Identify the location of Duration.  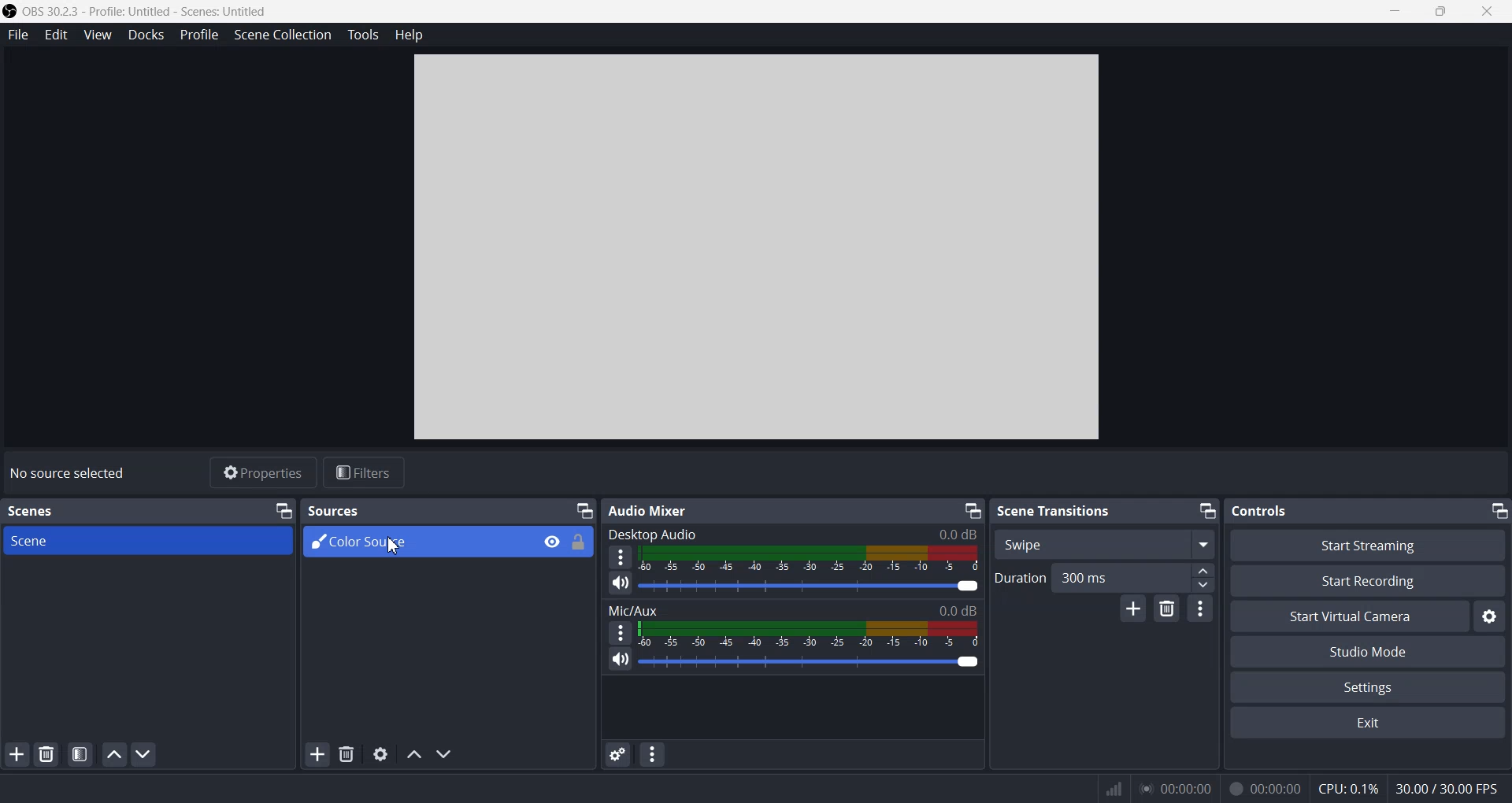
(1017, 578).